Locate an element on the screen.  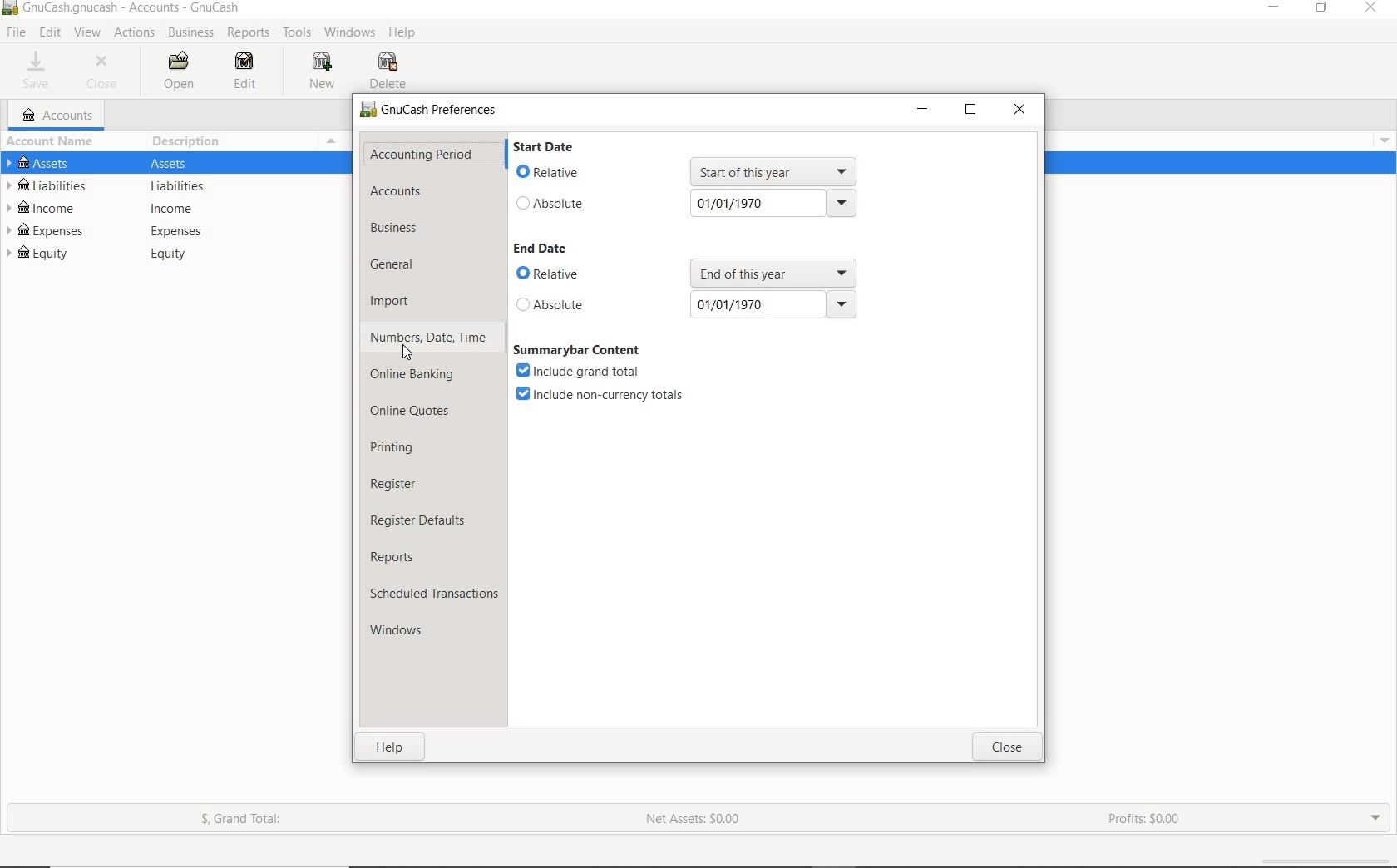
Cursor is located at coordinates (407, 353).